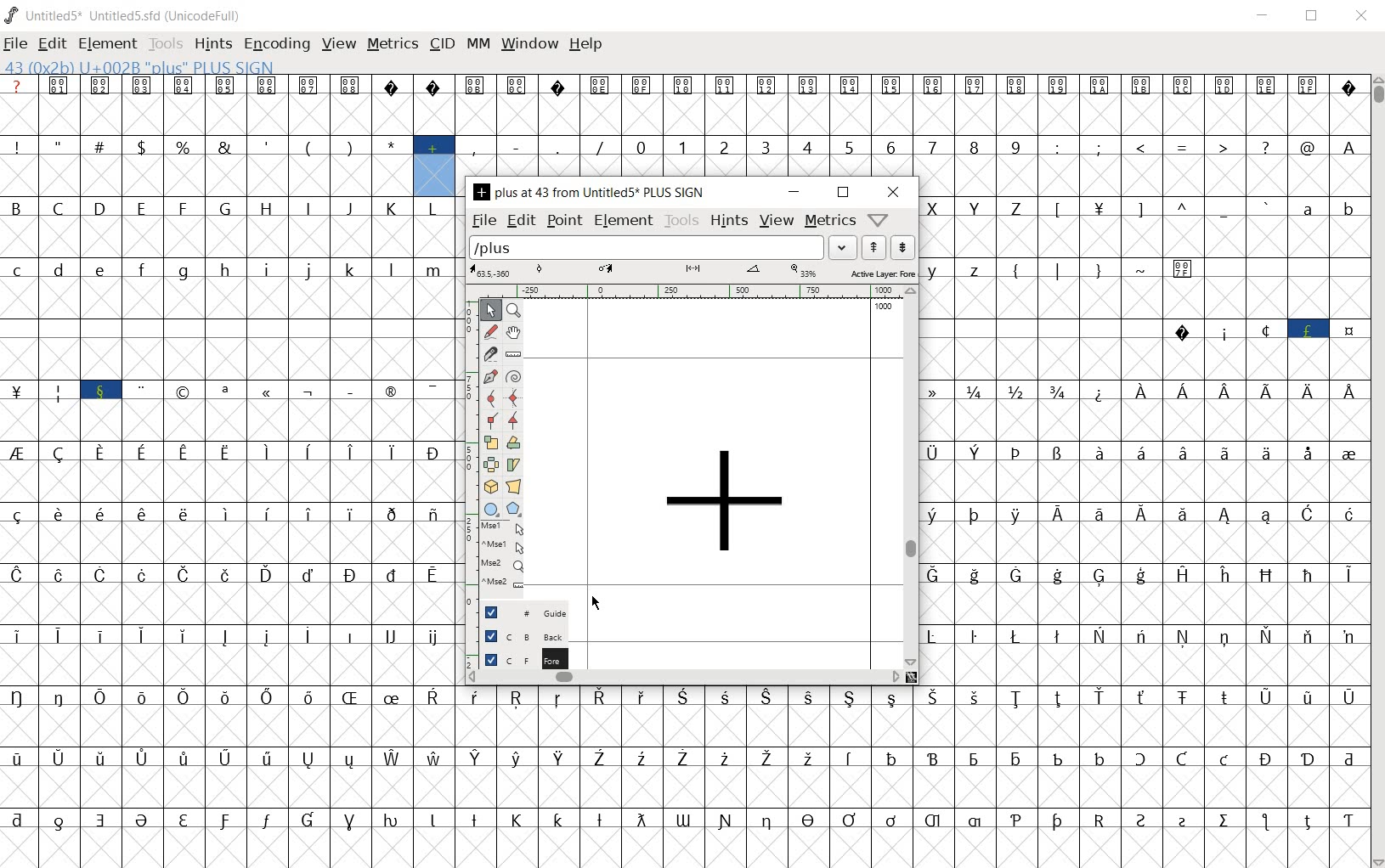  Describe the element at coordinates (520, 222) in the screenshot. I see `edit` at that location.